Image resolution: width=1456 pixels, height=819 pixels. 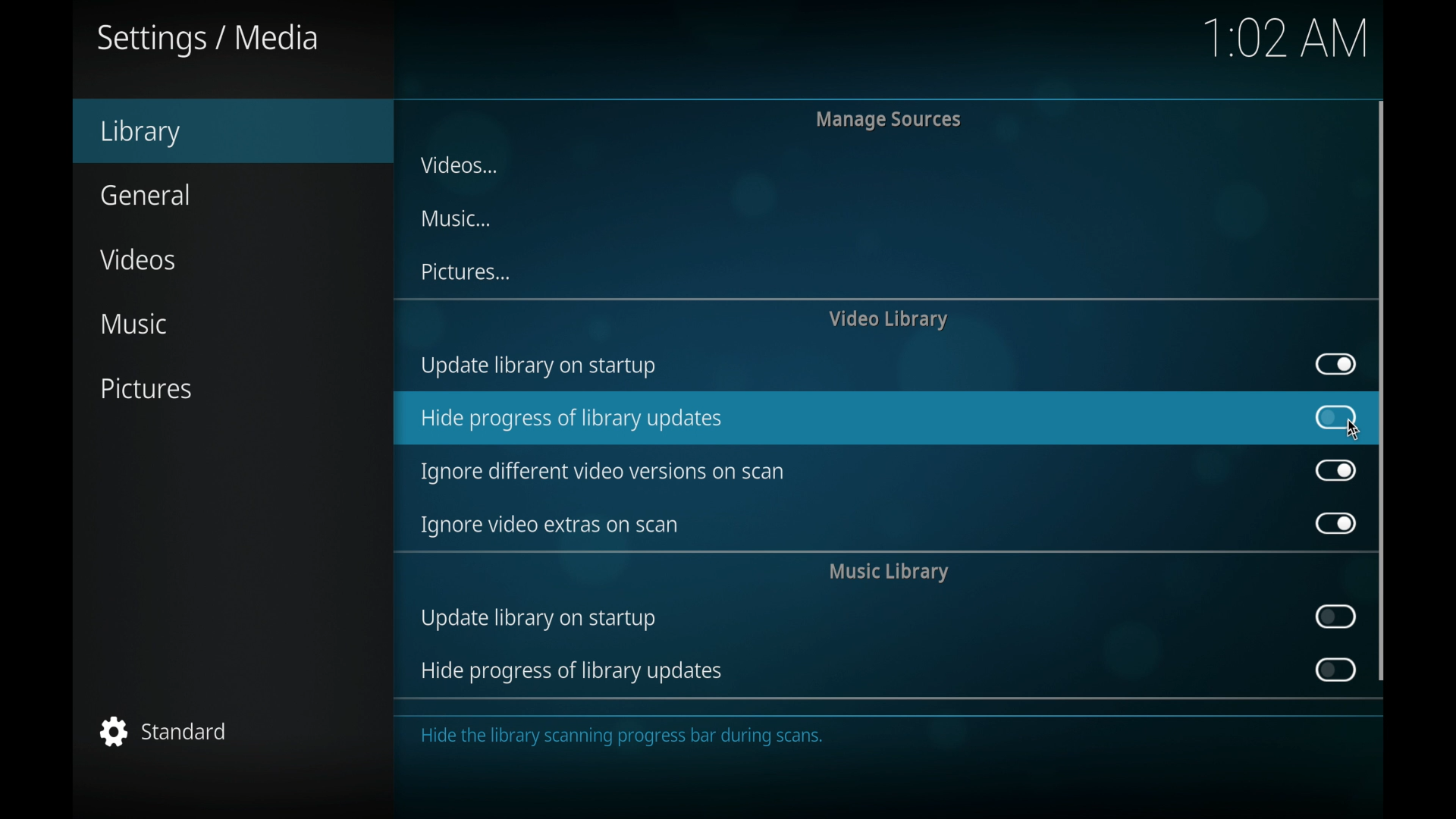 I want to click on 1:02 AM, so click(x=1288, y=45).